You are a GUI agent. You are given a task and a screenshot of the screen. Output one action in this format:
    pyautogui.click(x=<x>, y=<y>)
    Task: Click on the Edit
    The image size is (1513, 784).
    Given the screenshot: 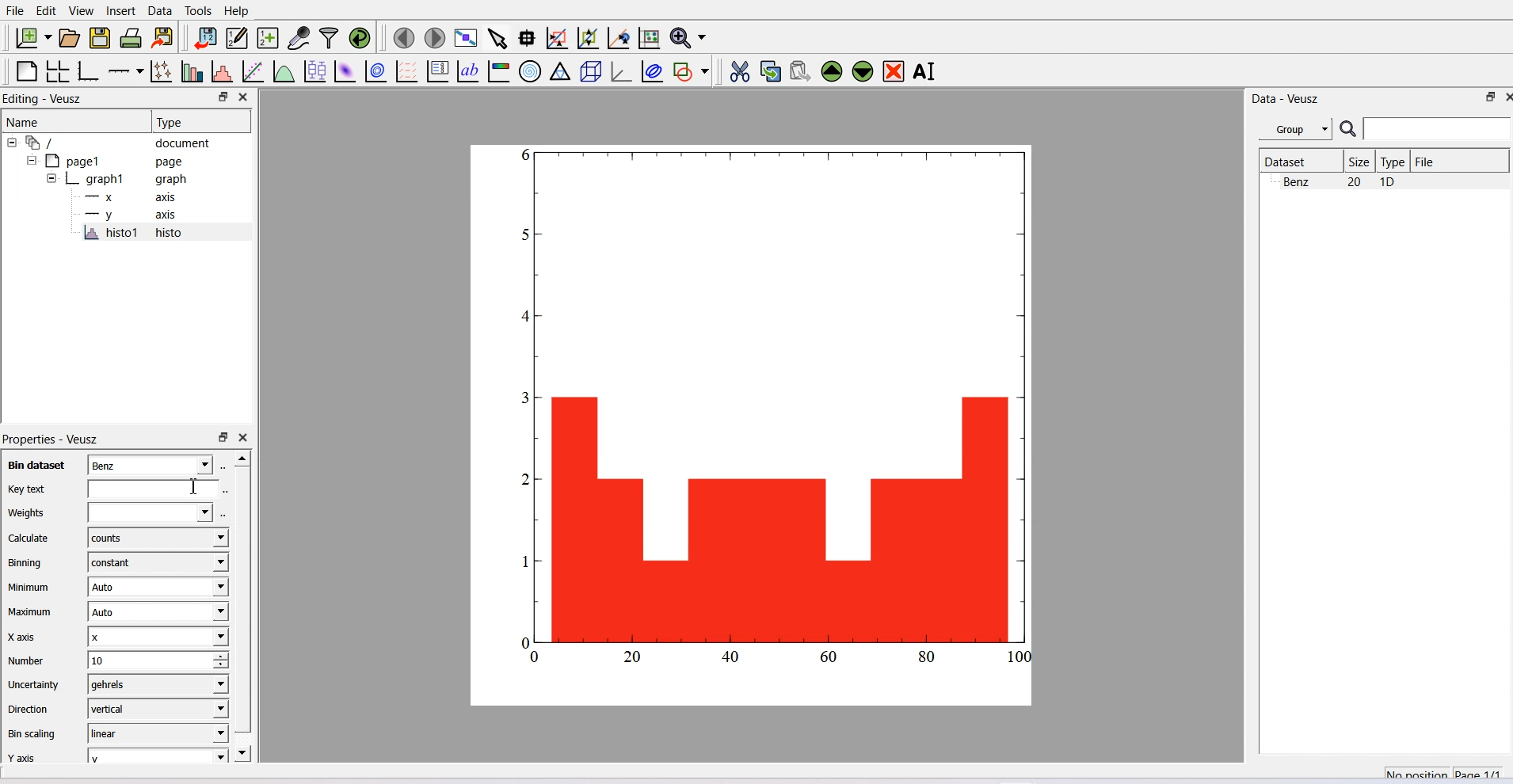 What is the action you would take?
    pyautogui.click(x=47, y=11)
    